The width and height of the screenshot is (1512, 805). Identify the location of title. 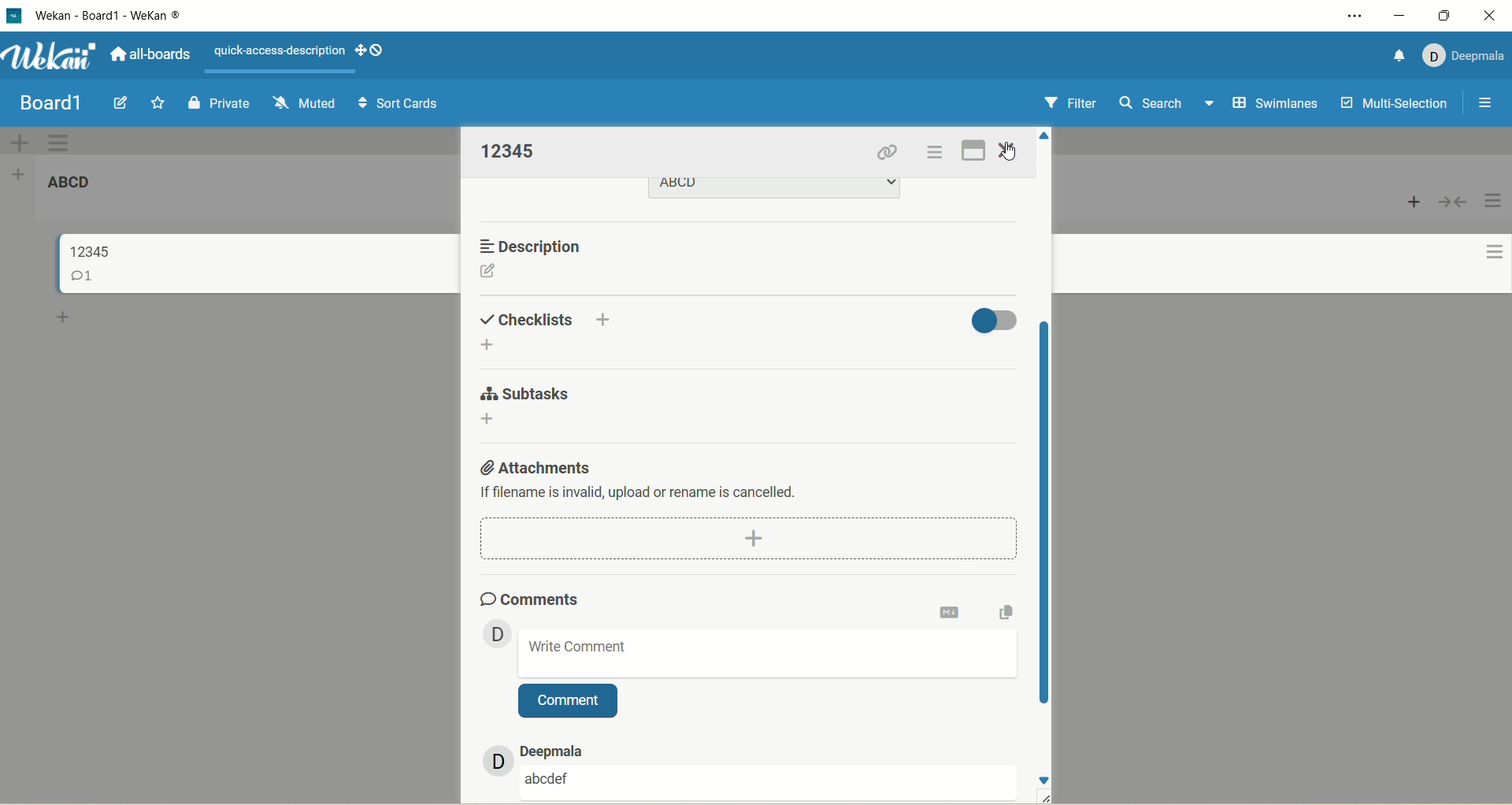
(50, 103).